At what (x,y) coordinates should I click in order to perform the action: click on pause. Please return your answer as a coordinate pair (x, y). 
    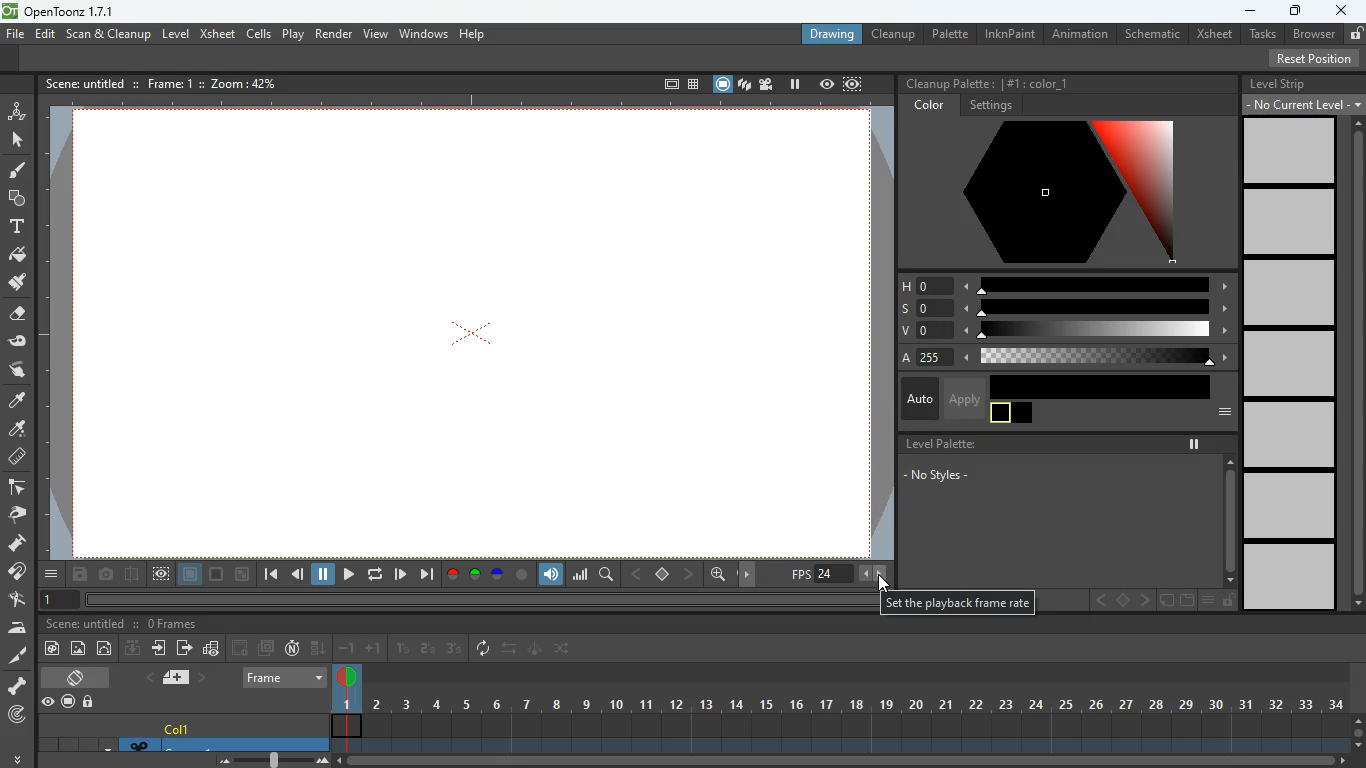
    Looking at the image, I should click on (324, 575).